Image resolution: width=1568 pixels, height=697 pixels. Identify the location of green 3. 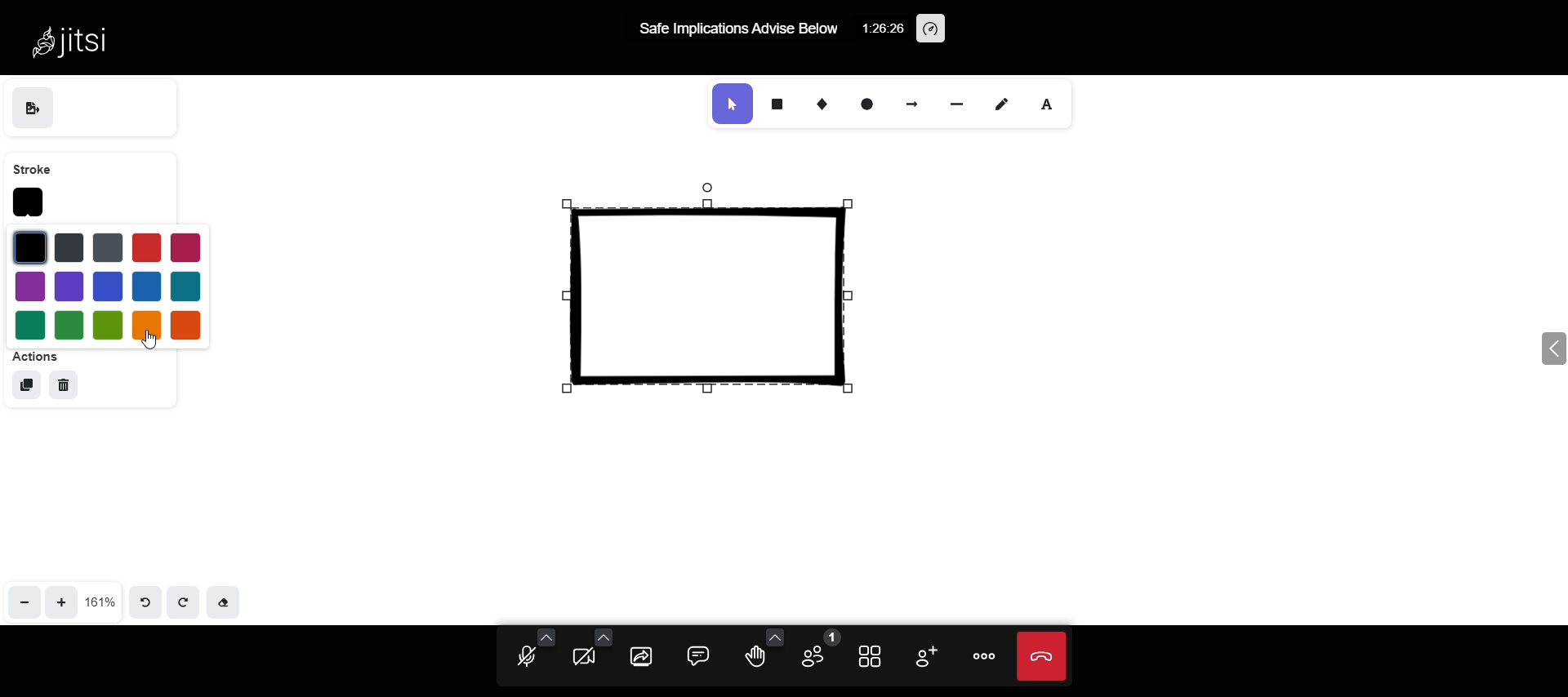
(108, 326).